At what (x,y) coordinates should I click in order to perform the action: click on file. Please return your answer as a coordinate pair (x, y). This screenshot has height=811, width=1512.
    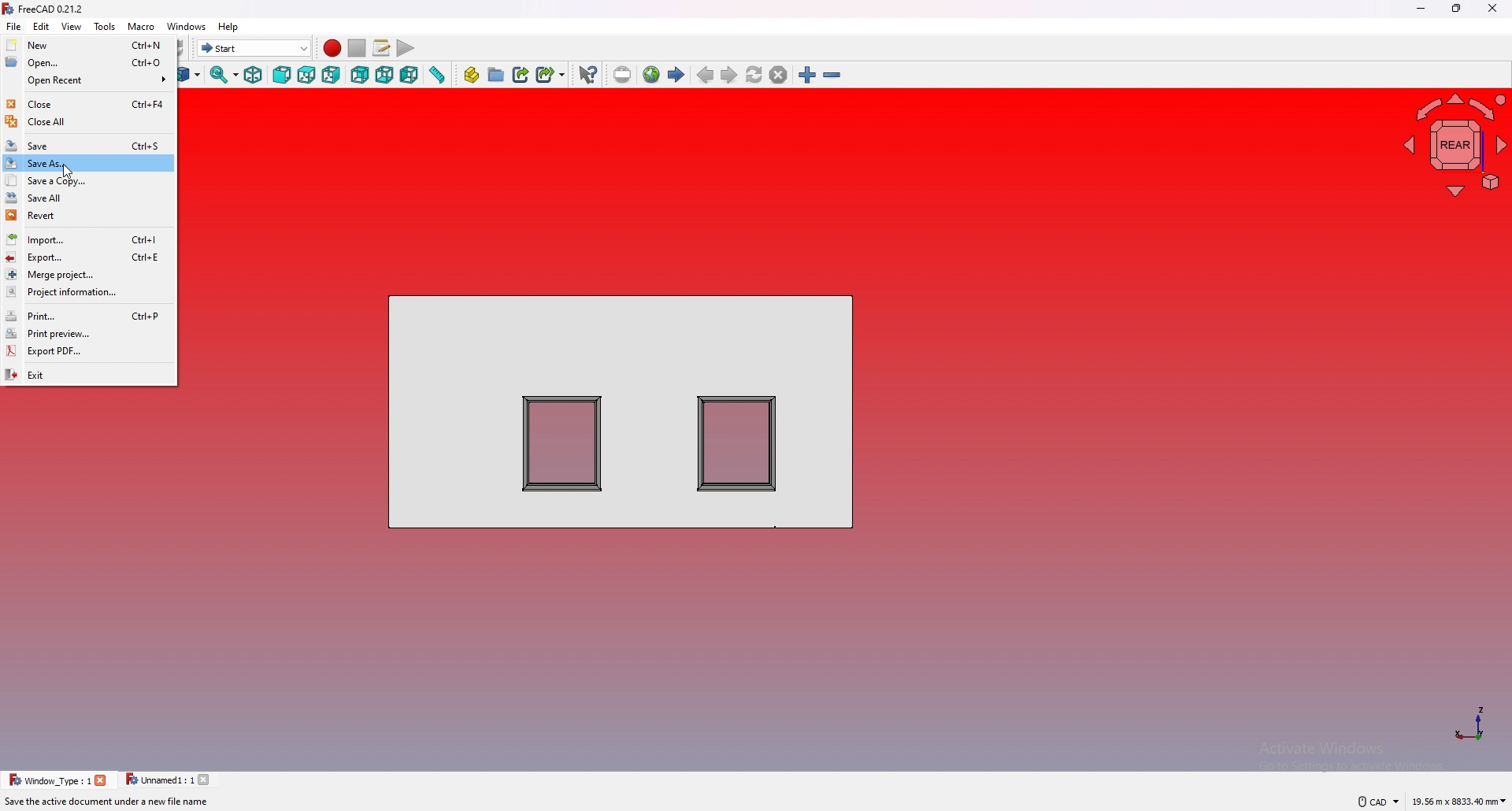
    Looking at the image, I should click on (13, 26).